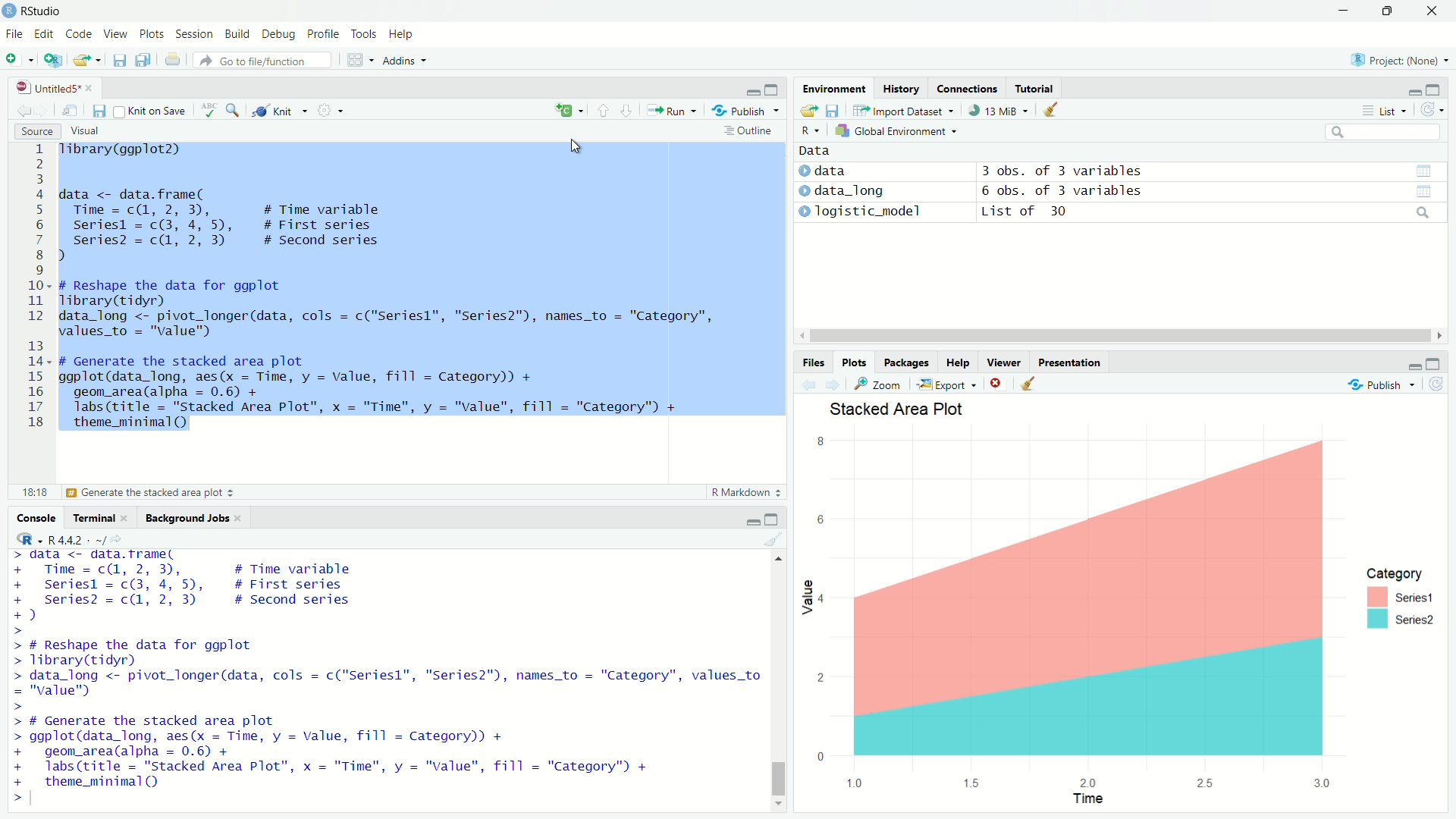 The image size is (1456, 819). Describe the element at coordinates (85, 62) in the screenshot. I see `export` at that location.